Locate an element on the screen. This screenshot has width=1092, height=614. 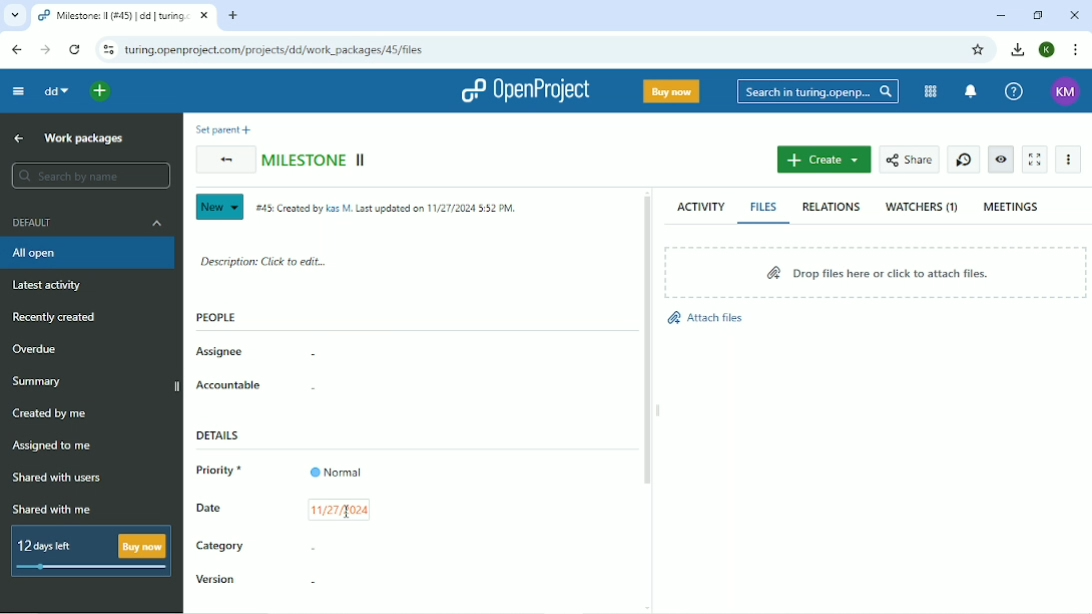
Accountable is located at coordinates (229, 385).